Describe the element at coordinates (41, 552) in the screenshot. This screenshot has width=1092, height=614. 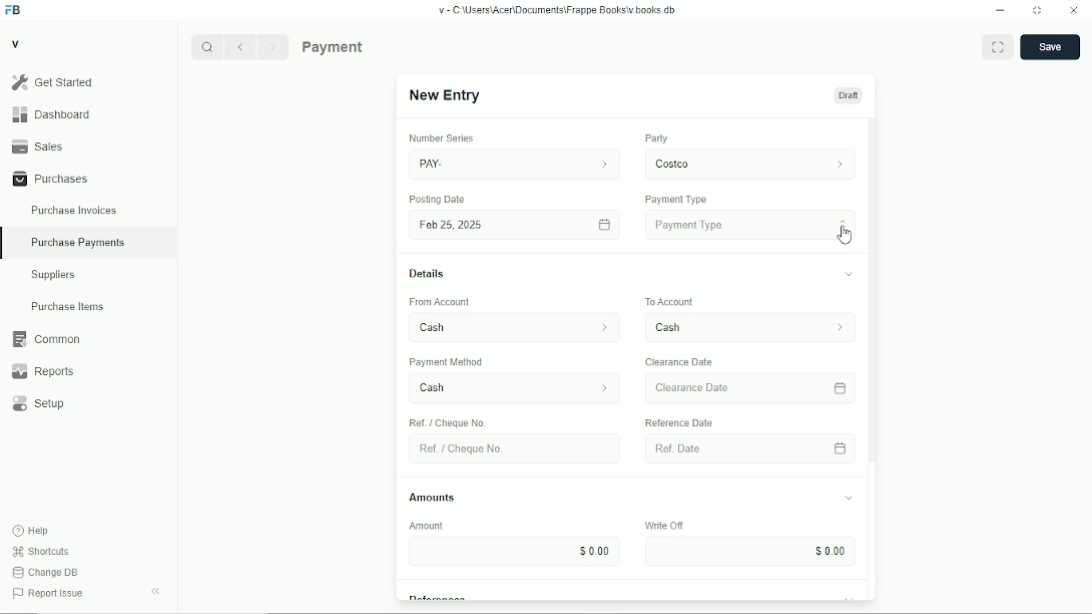
I see `Shortcuts` at that location.